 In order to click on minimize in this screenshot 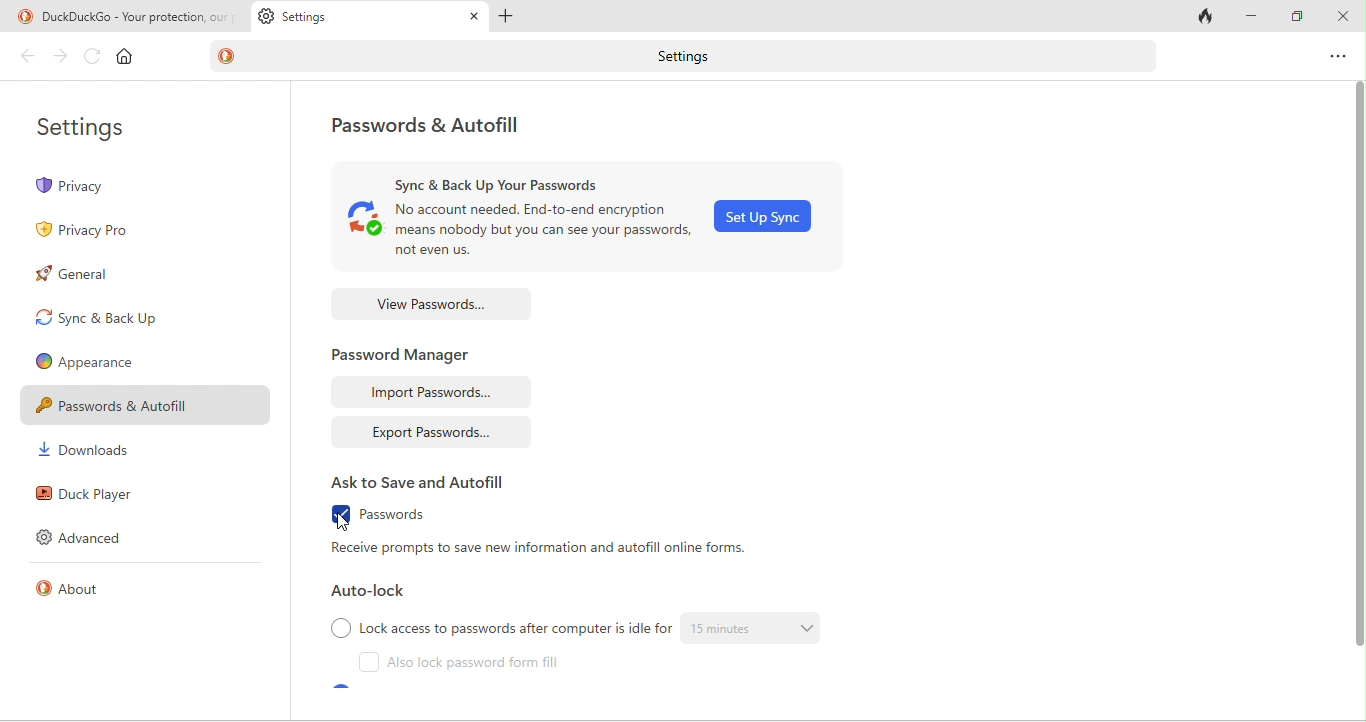, I will do `click(1244, 13)`.